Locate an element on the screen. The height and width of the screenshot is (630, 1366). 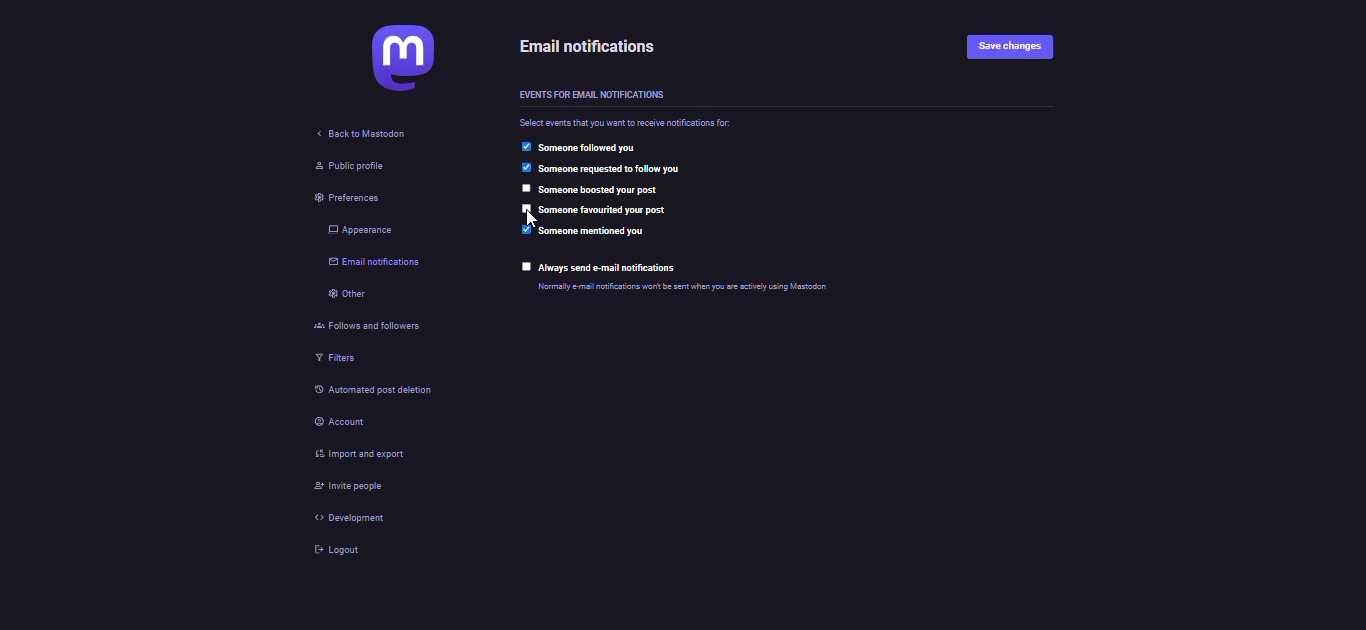
follows and followers is located at coordinates (365, 325).